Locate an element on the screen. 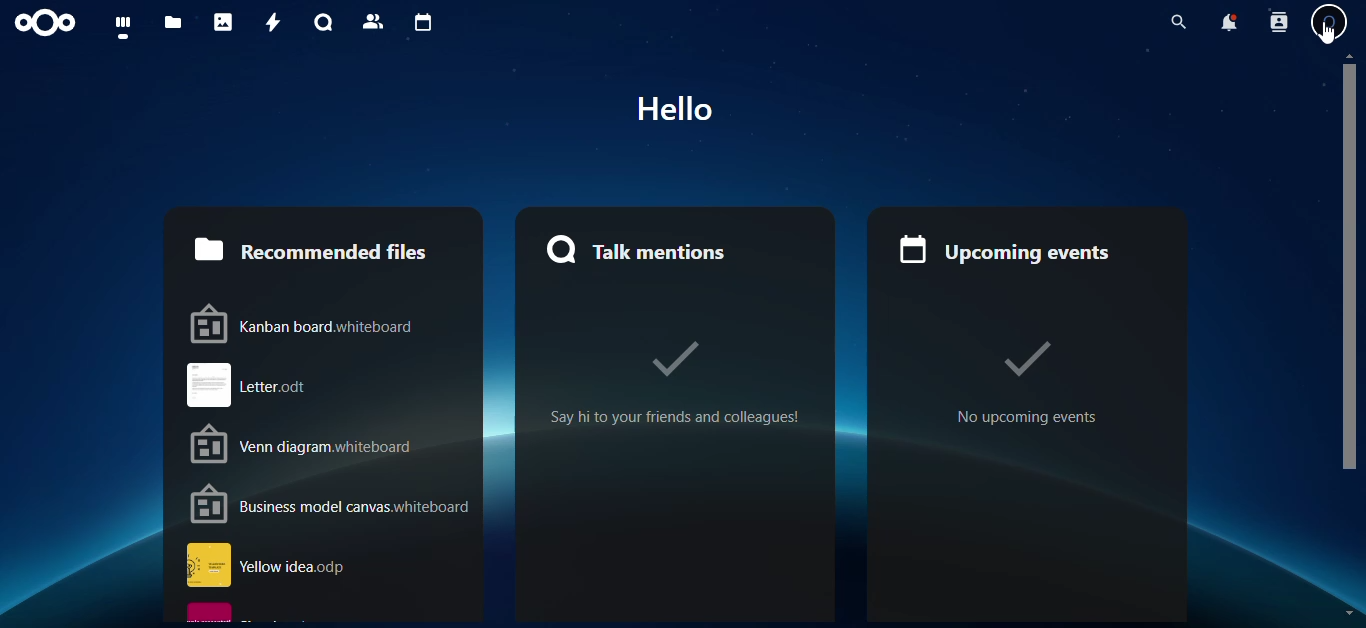  contact is located at coordinates (1278, 22).